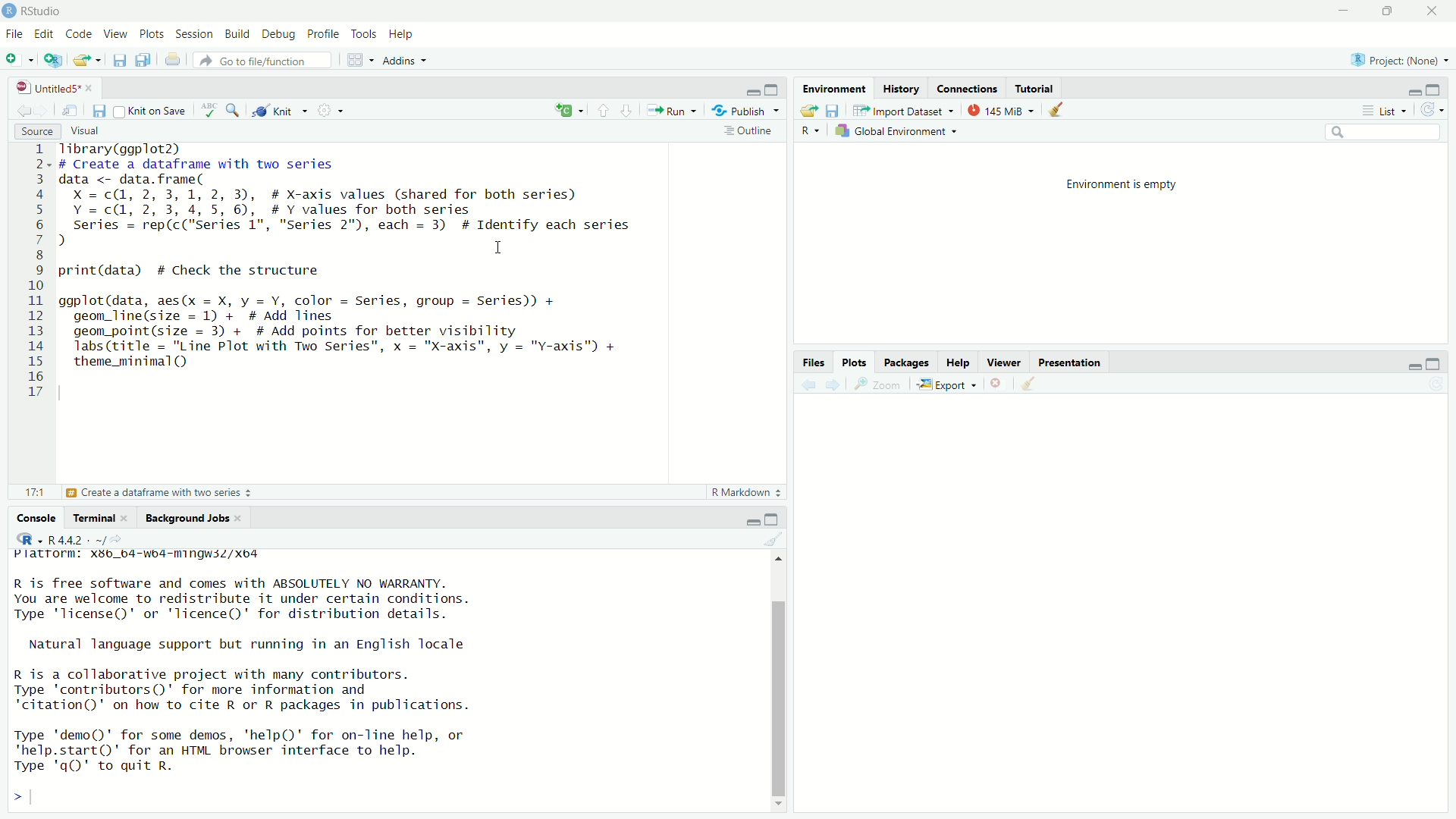 This screenshot has height=819, width=1456. Describe the element at coordinates (38, 275) in the screenshot. I see `1
2
3
4
5
6
7
8
9
10
ali
12
13
14
15
16
17` at that location.